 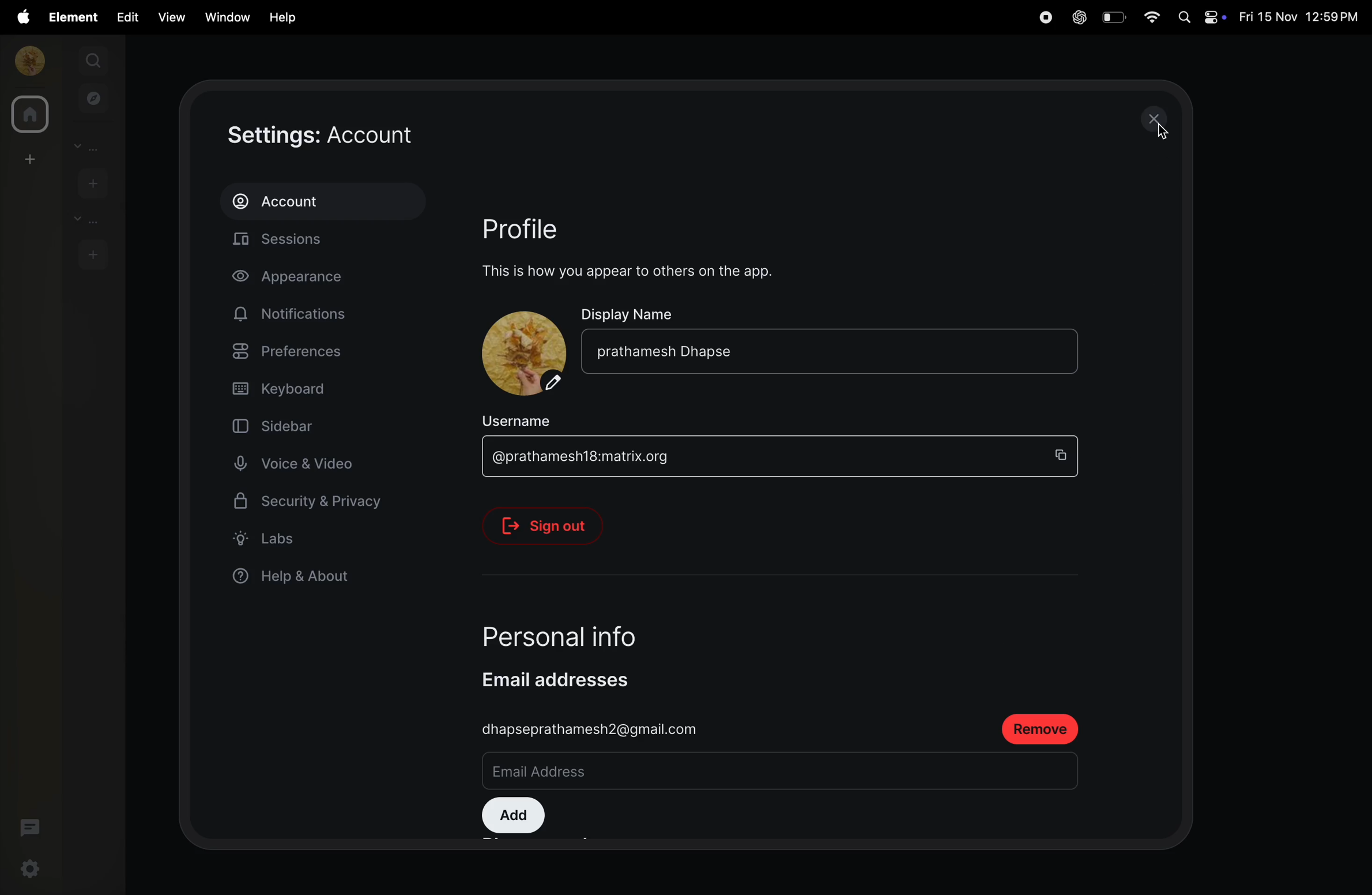 What do you see at coordinates (787, 349) in the screenshot?
I see `name` at bounding box center [787, 349].